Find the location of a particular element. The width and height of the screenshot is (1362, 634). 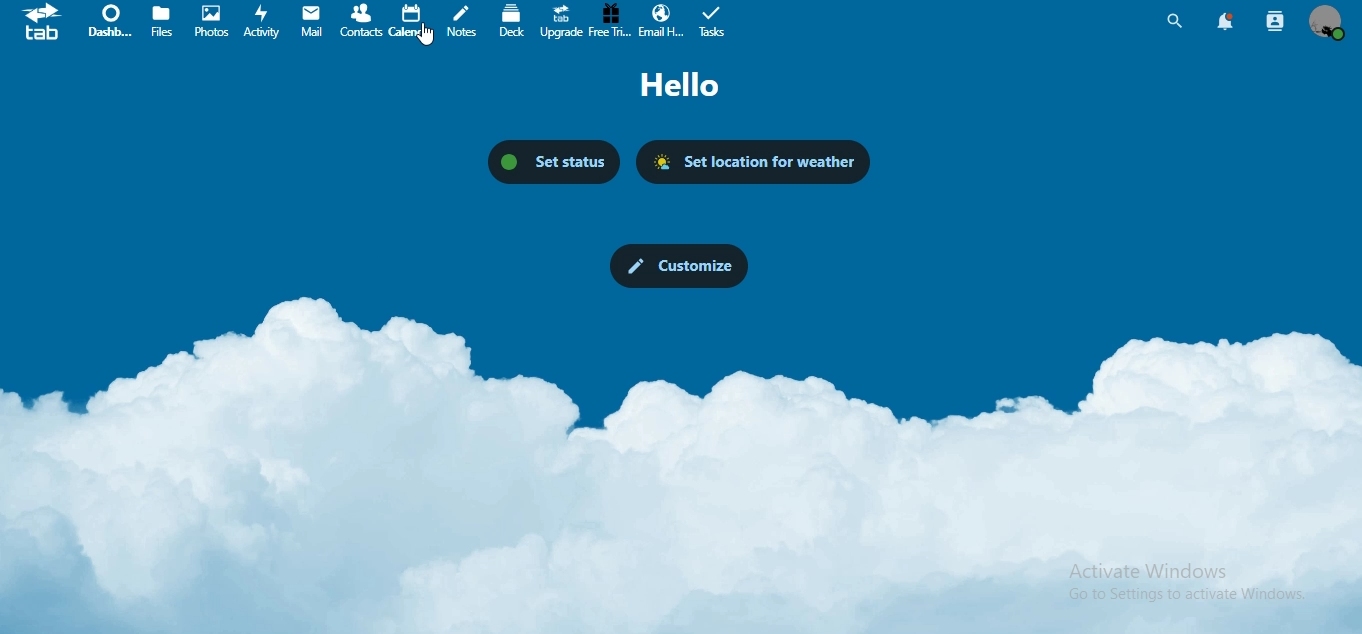

contact is located at coordinates (363, 20).